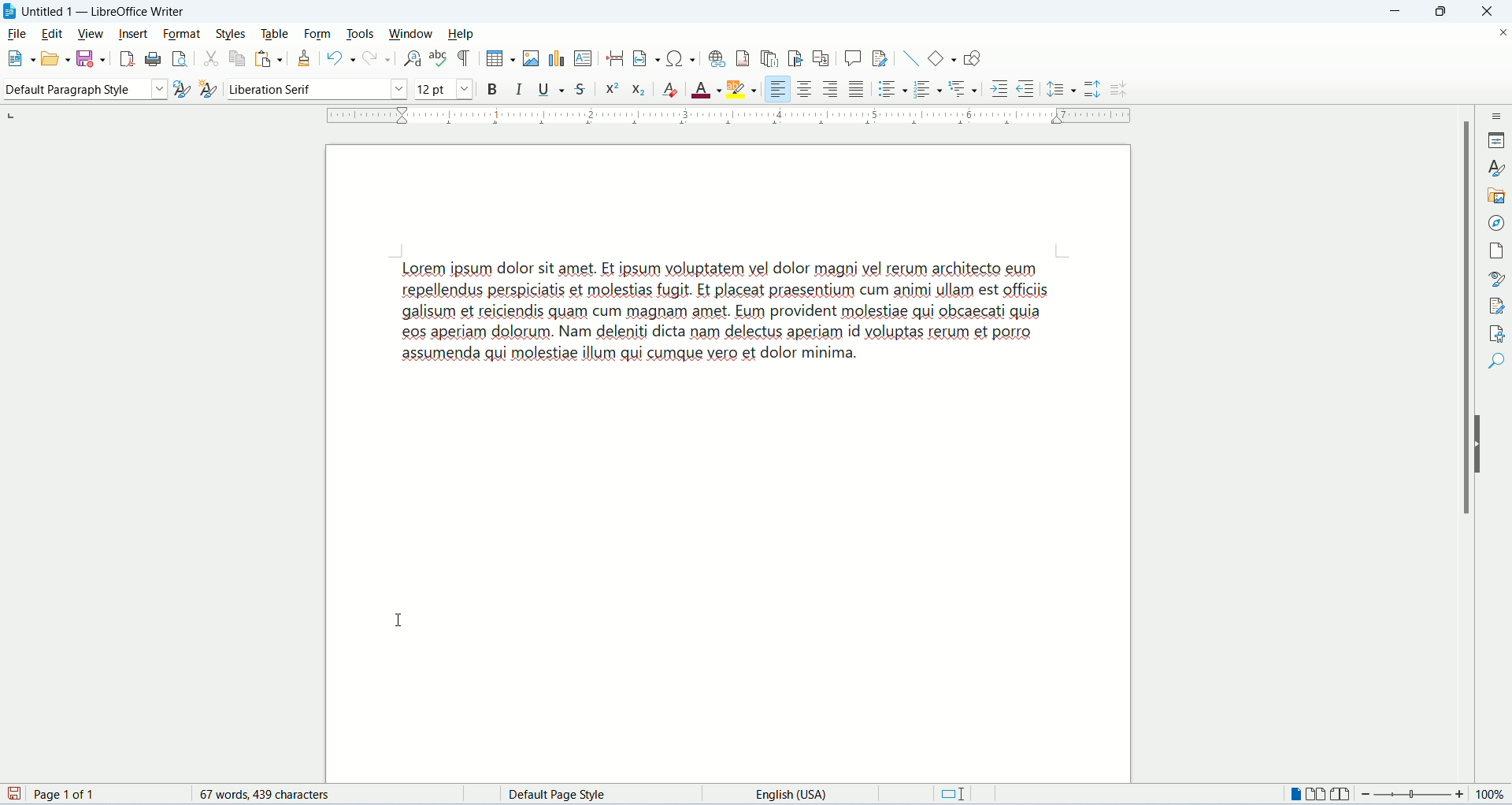 The image size is (1512, 805). I want to click on find, so click(1498, 362).